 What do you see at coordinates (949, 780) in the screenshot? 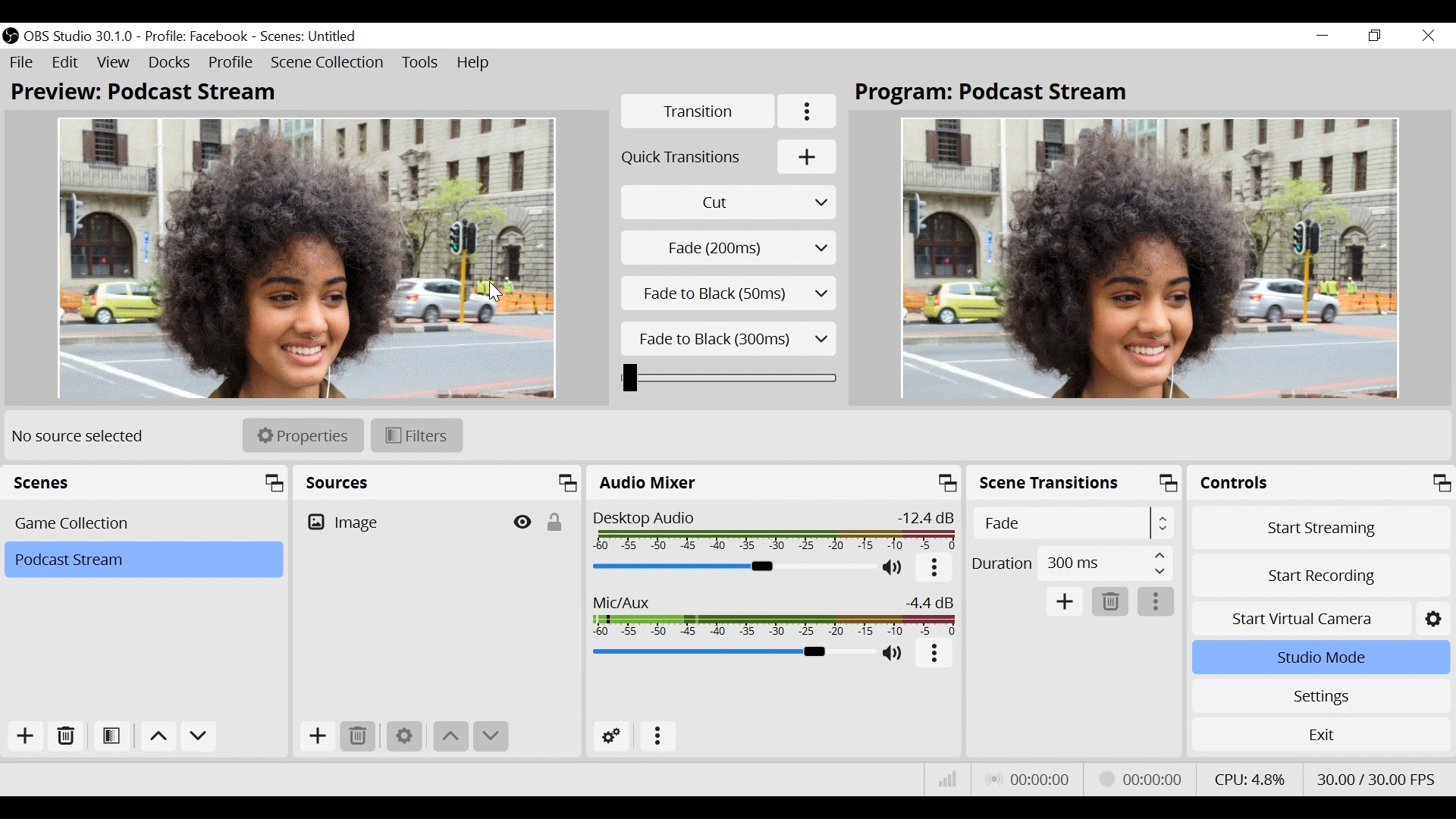
I see `Bitrate` at bounding box center [949, 780].